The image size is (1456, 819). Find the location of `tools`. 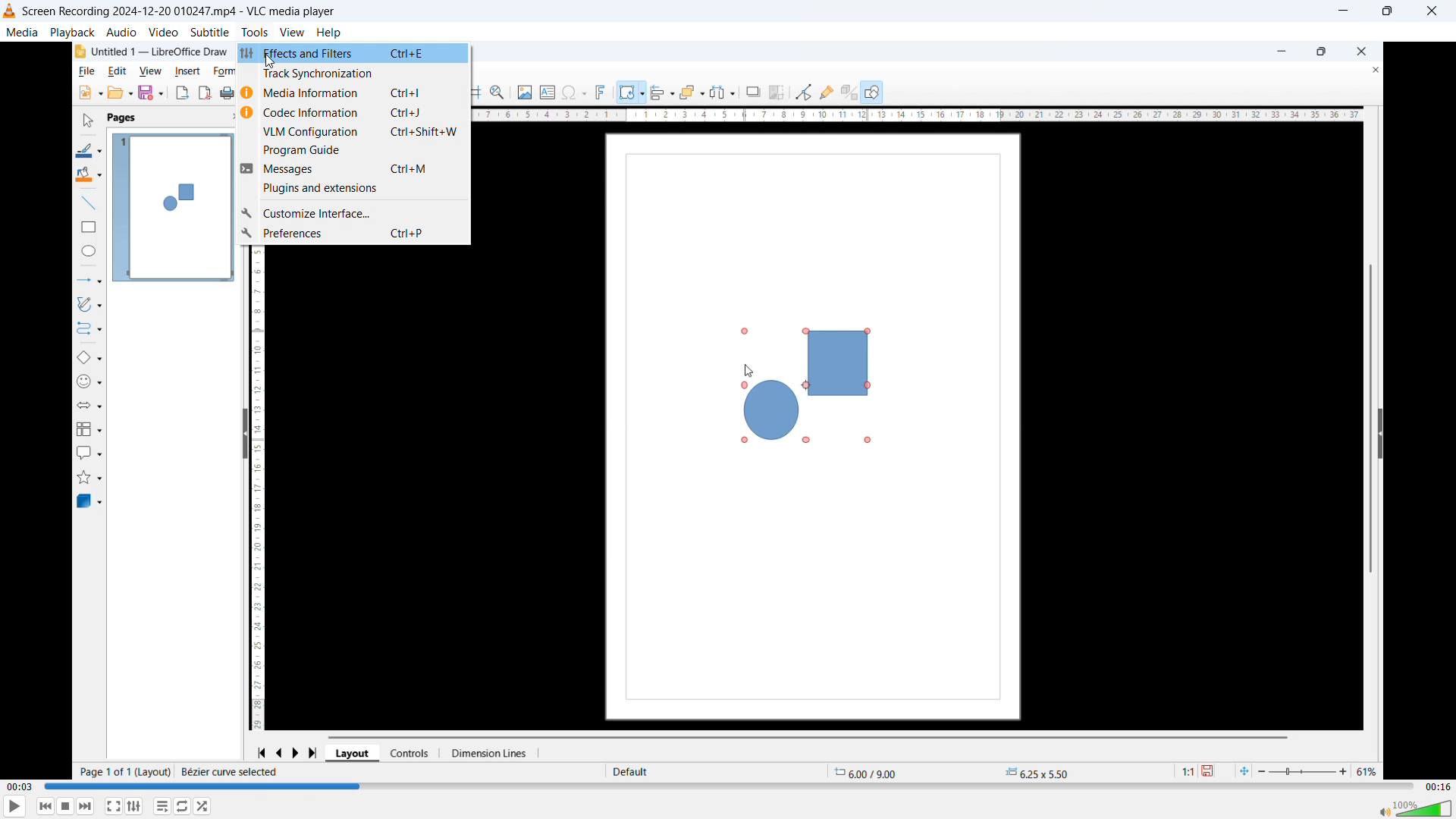

tools is located at coordinates (256, 32).